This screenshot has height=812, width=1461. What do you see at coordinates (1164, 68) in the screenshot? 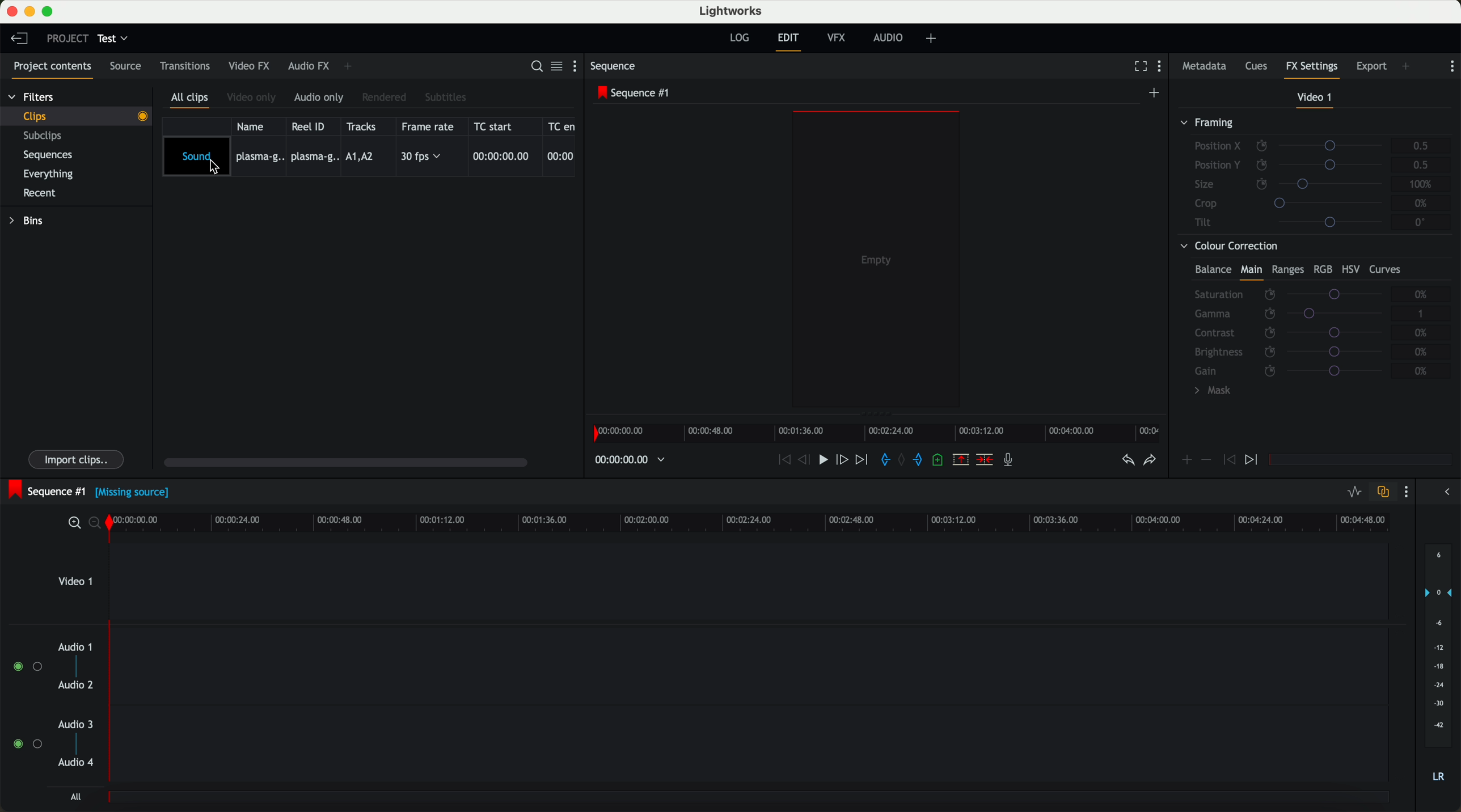
I see `show settings menu` at bounding box center [1164, 68].